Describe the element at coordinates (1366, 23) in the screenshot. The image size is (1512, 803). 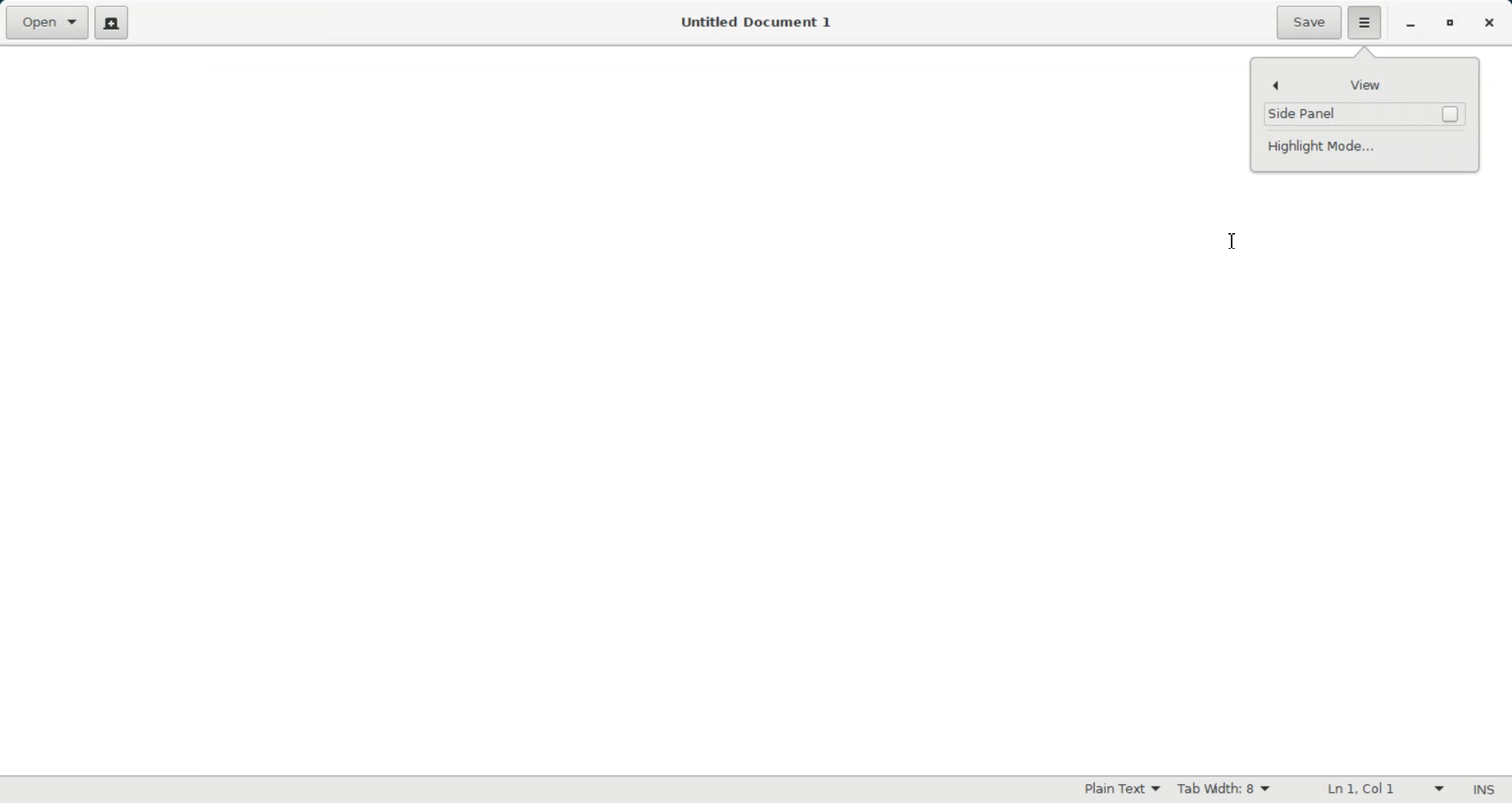
I see `Hamburger settings` at that location.